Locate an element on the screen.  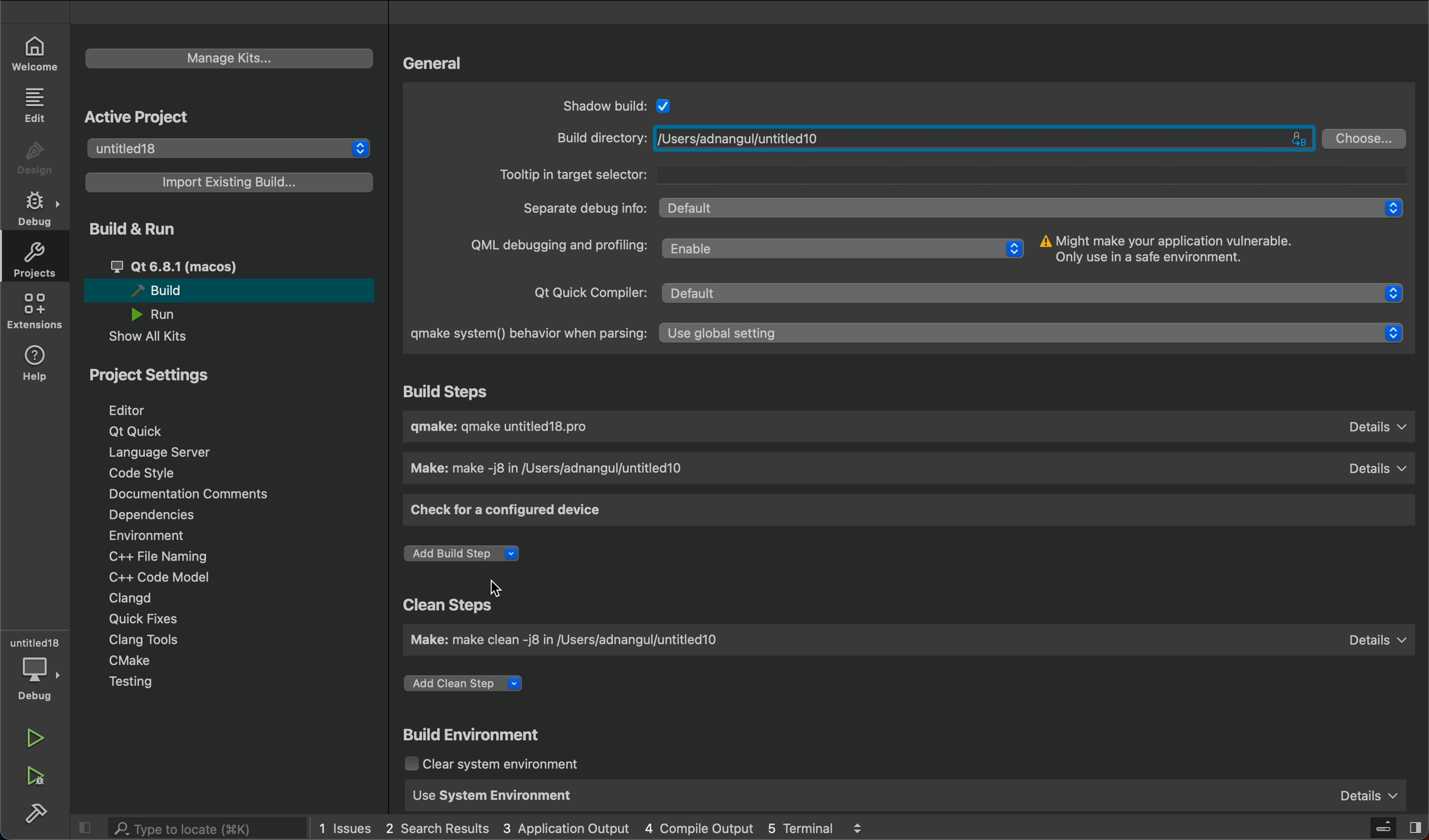
debug is located at coordinates (38, 207).